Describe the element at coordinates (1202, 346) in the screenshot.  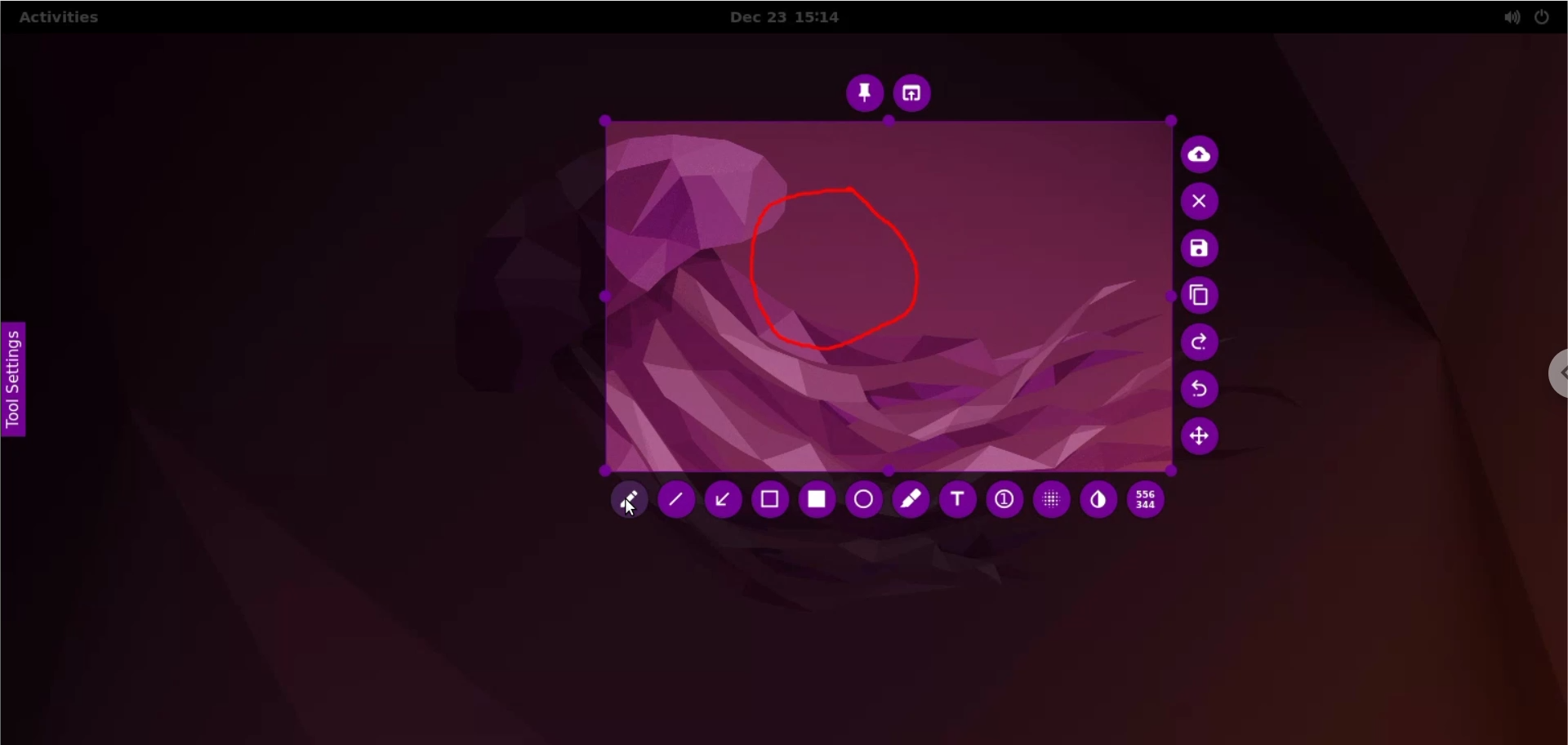
I see `redo` at that location.